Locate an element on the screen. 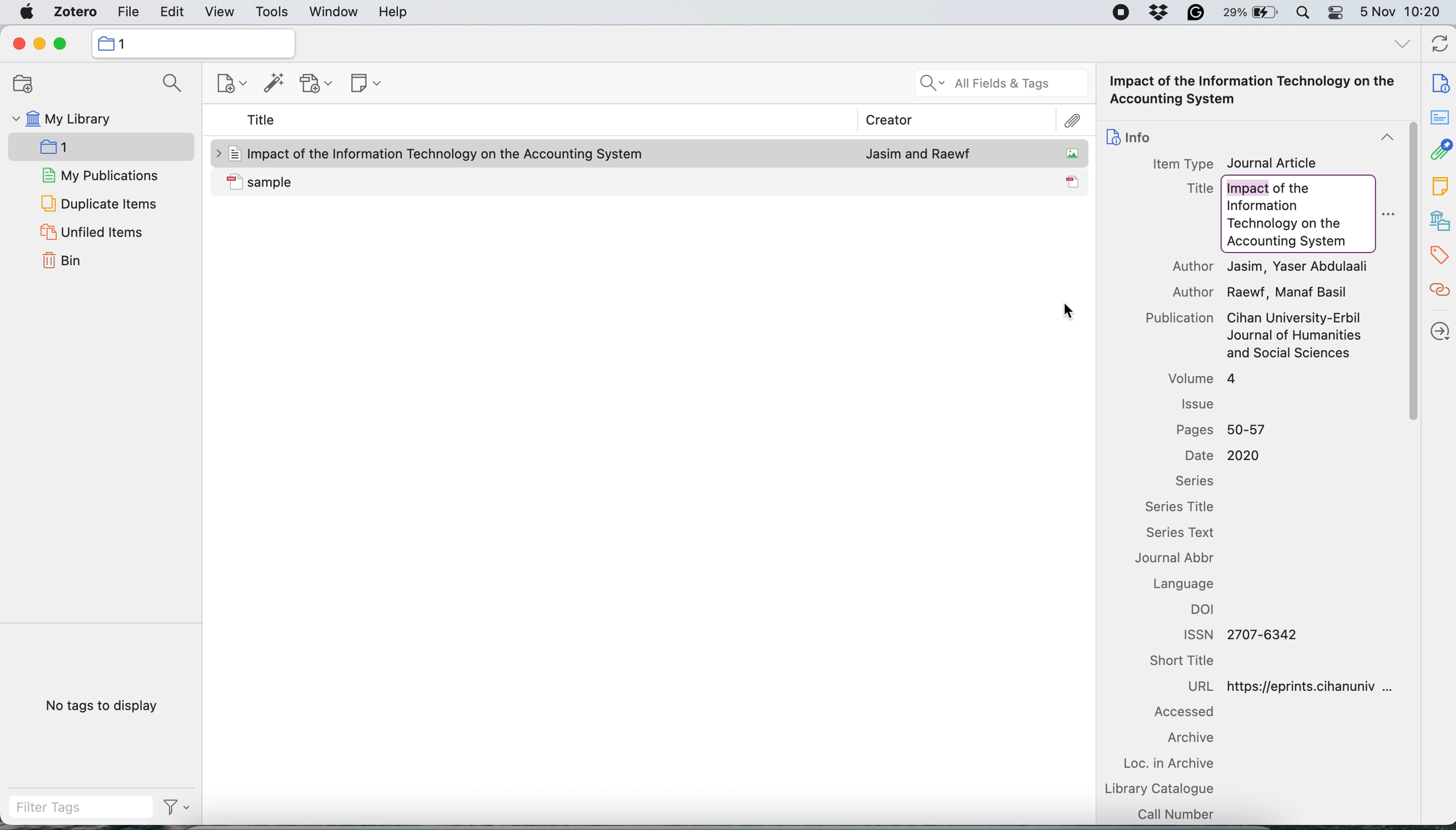 The image size is (1456, 830). of the is located at coordinates (1295, 187).